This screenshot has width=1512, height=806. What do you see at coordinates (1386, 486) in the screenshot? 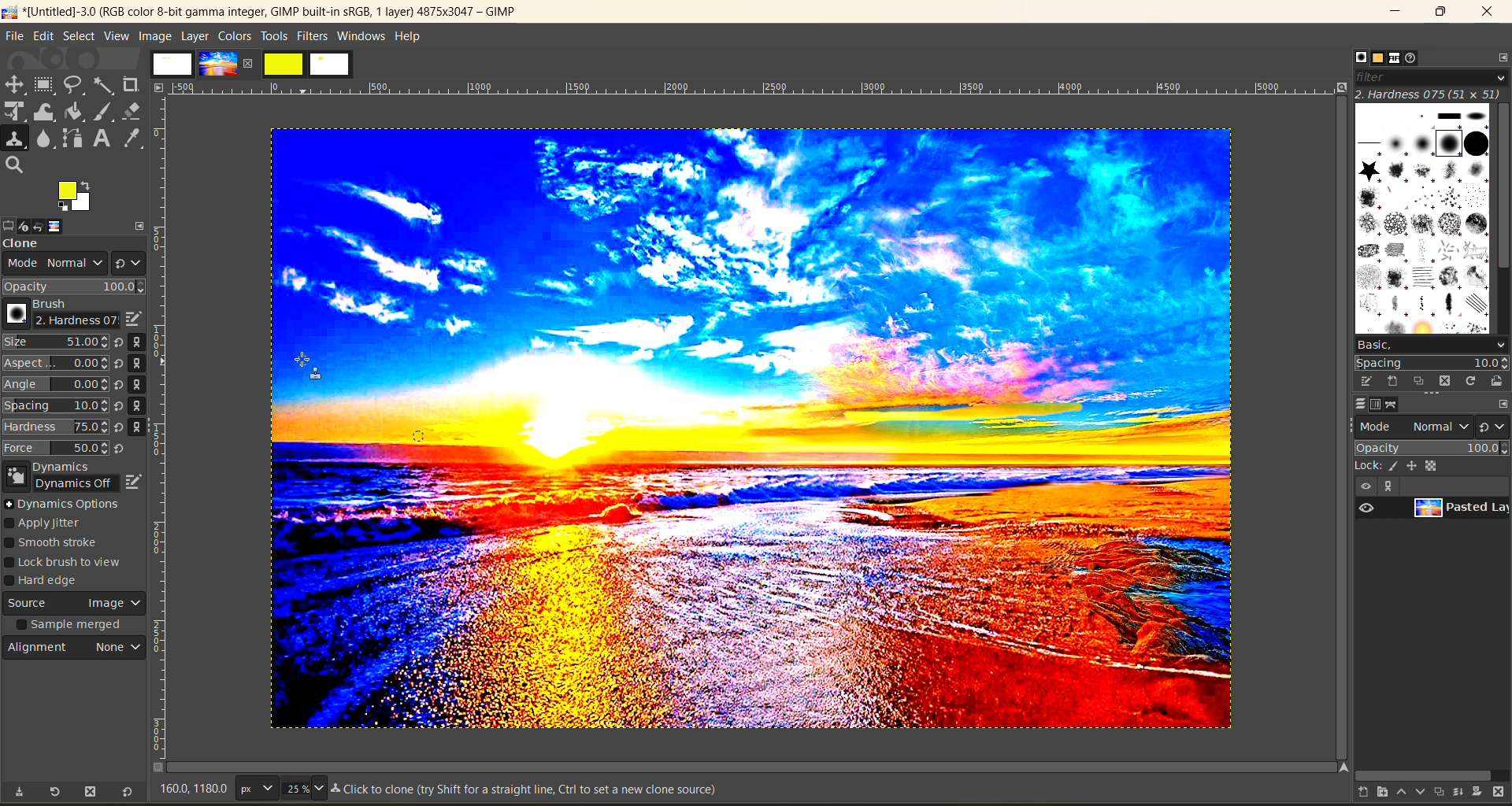
I see `expand` at bounding box center [1386, 486].